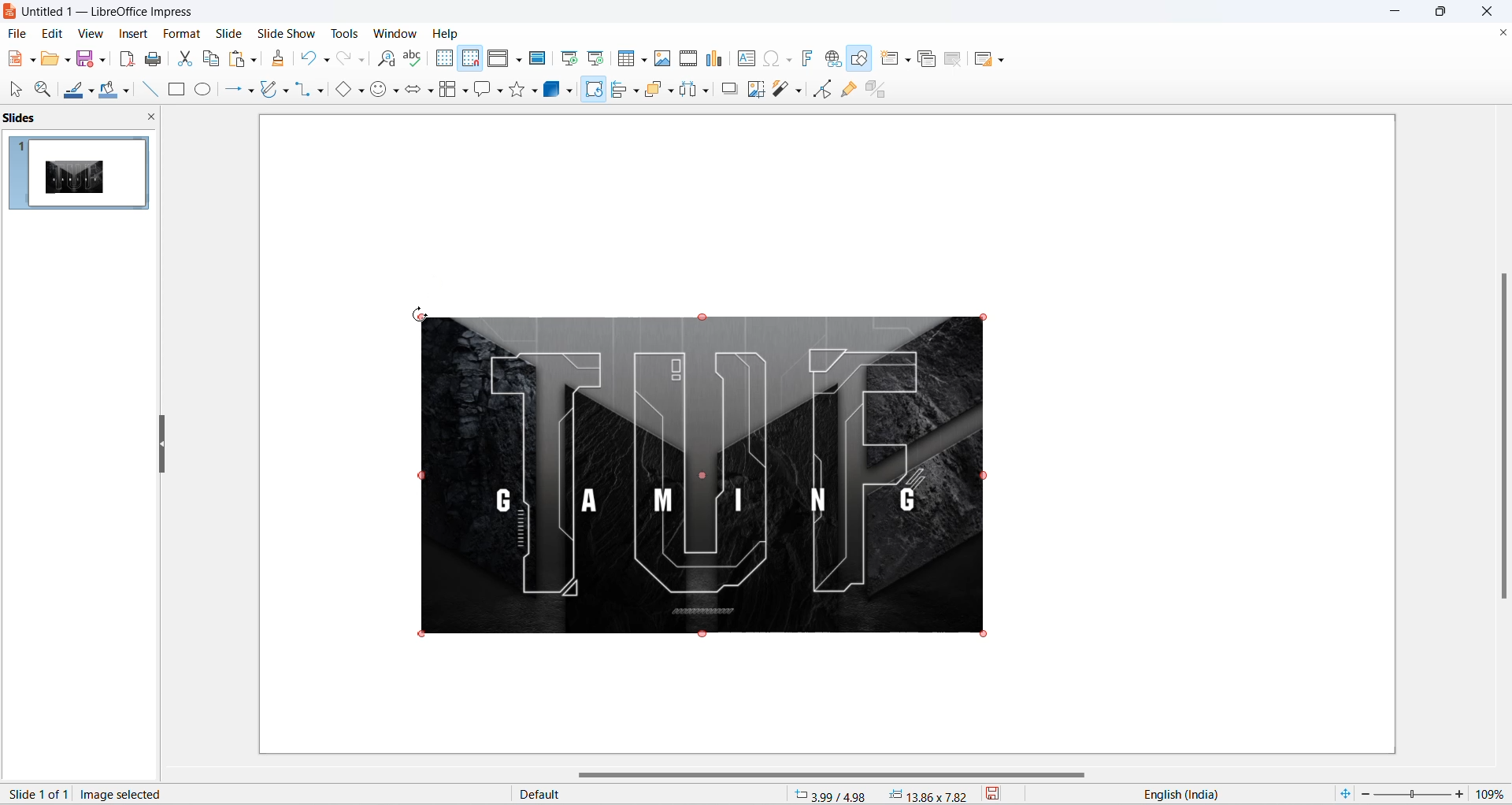 Image resolution: width=1512 pixels, height=805 pixels. Describe the element at coordinates (673, 91) in the screenshot. I see `arrange options` at that location.